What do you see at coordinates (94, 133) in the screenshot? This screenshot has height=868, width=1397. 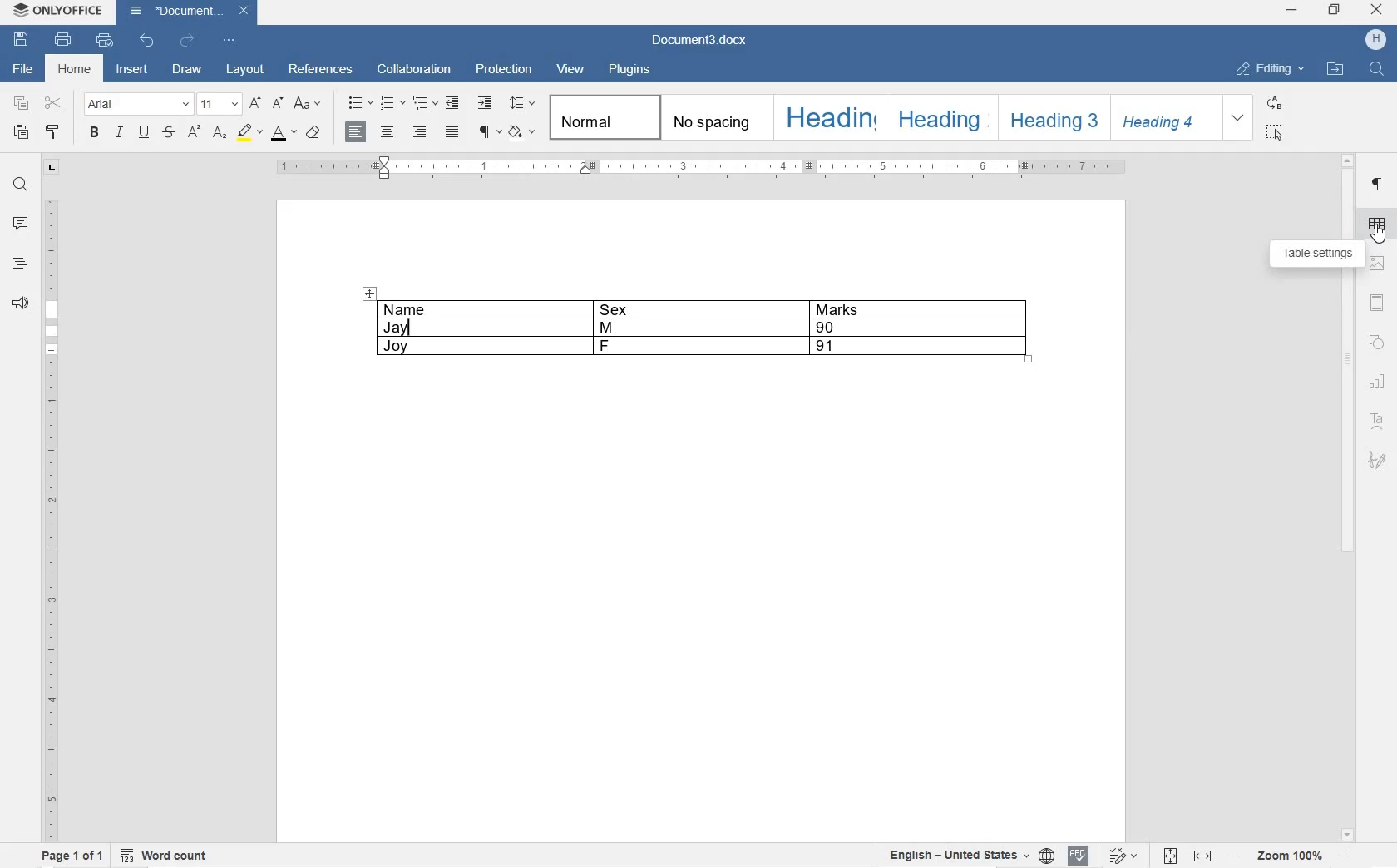 I see `BOLD` at bounding box center [94, 133].